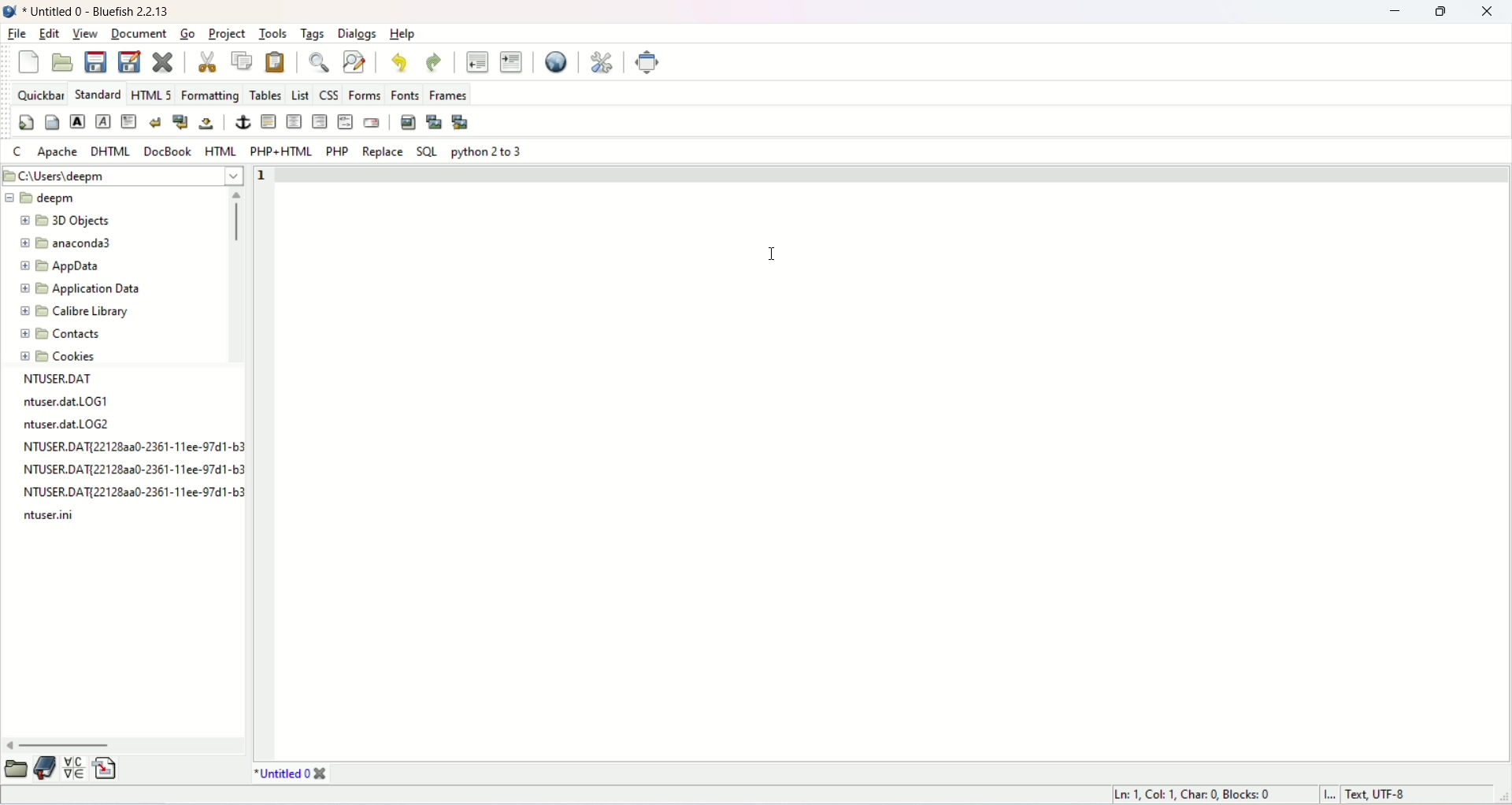  What do you see at coordinates (267, 124) in the screenshot?
I see `horizontal rule` at bounding box center [267, 124].